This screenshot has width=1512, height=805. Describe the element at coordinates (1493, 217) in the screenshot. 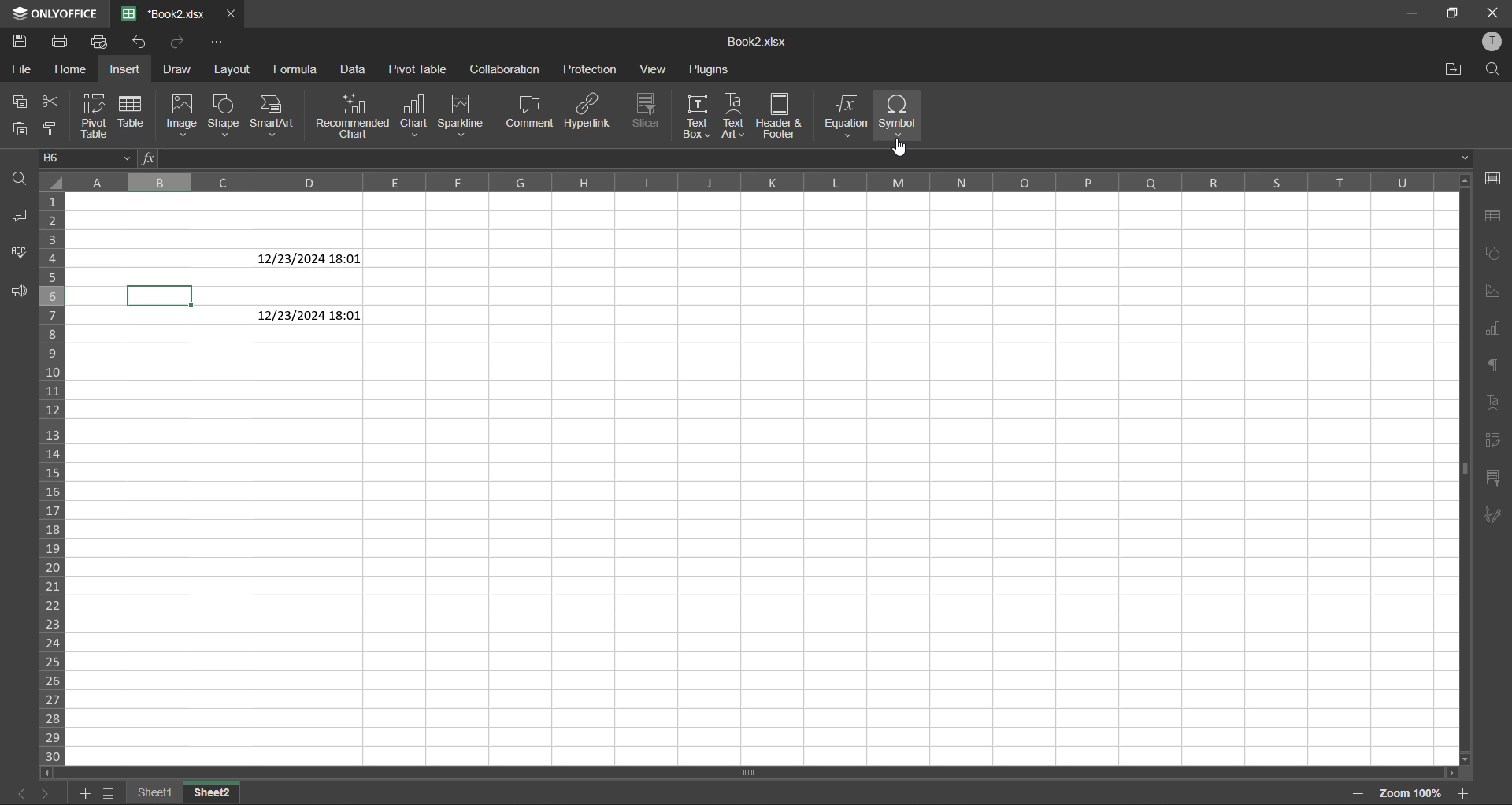

I see `table` at that location.